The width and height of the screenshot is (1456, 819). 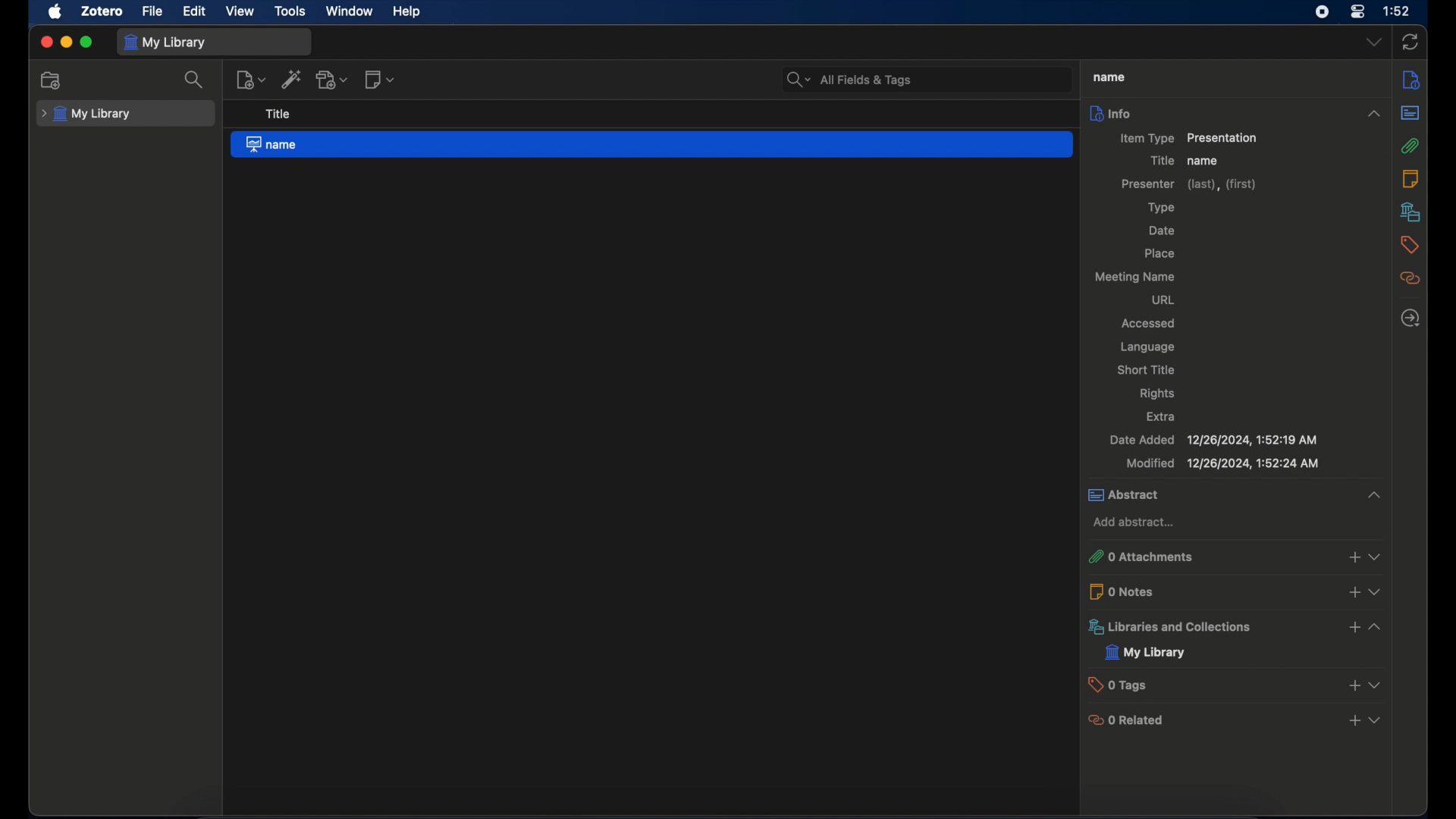 What do you see at coordinates (1150, 322) in the screenshot?
I see `accessed` at bounding box center [1150, 322].